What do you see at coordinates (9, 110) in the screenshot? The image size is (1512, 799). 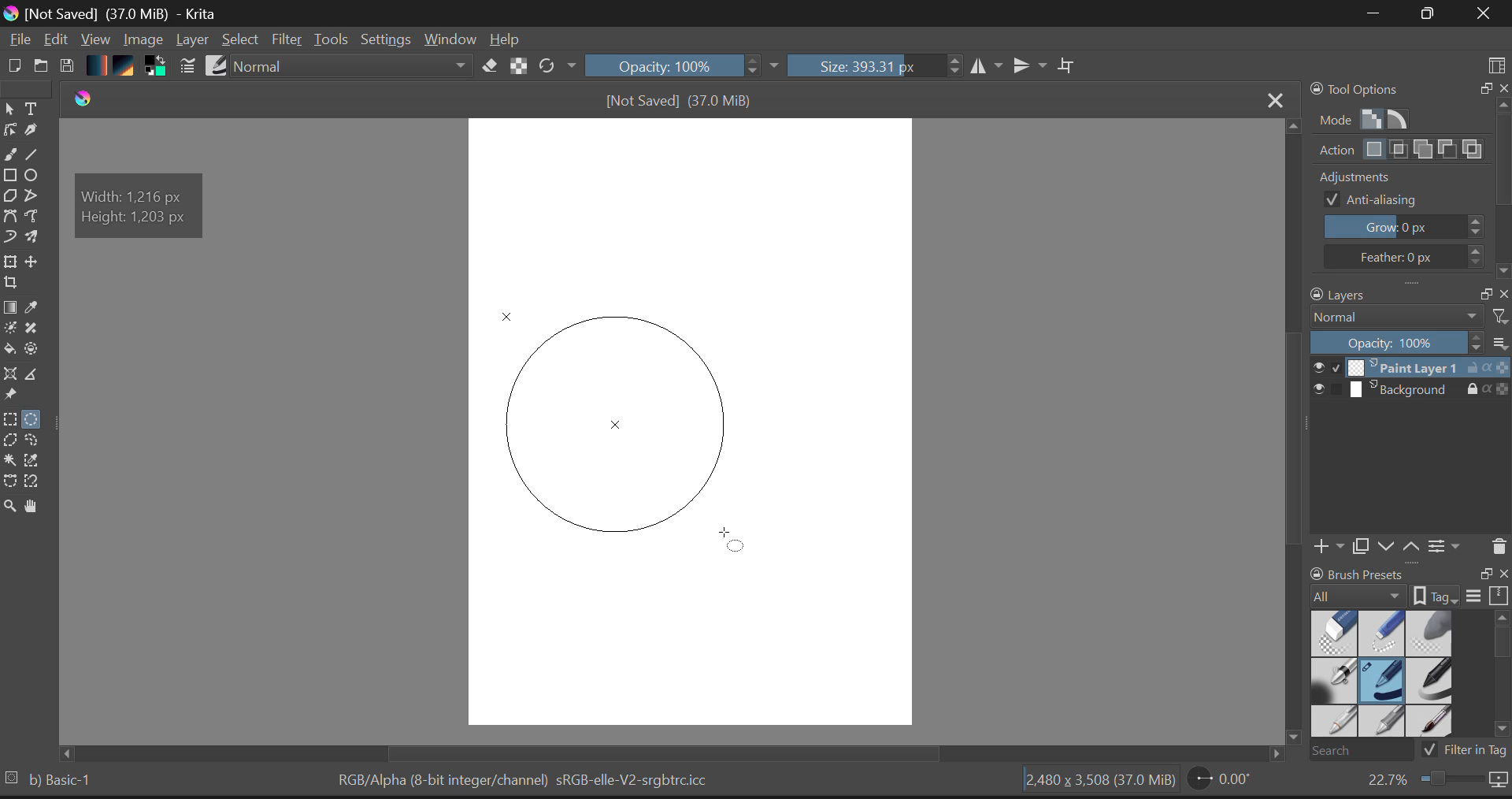 I see `Select` at bounding box center [9, 110].